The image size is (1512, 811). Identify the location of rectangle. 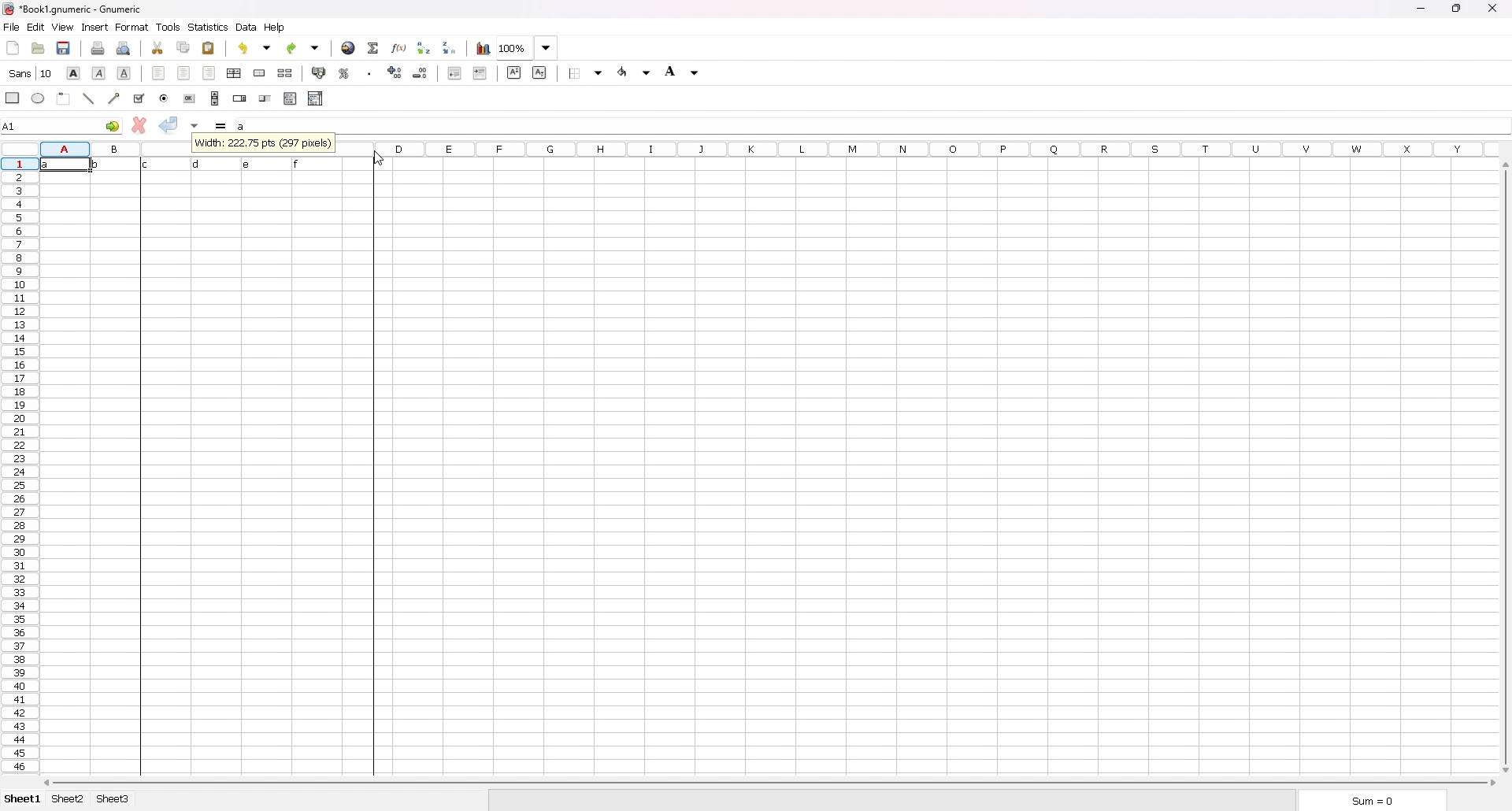
(13, 97).